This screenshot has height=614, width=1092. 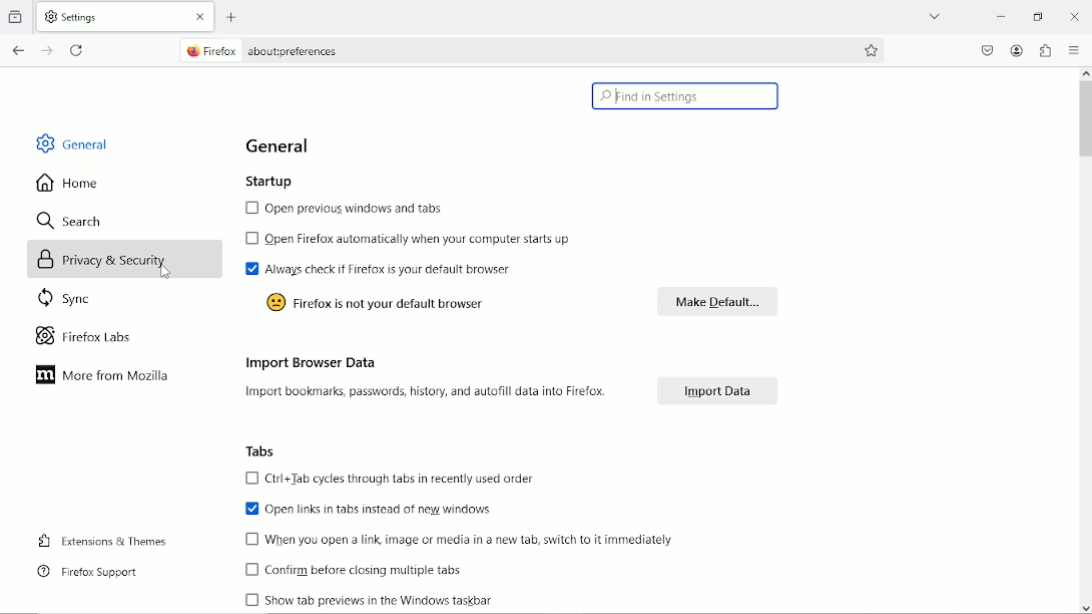 What do you see at coordinates (296, 53) in the screenshot?
I see `site` at bounding box center [296, 53].